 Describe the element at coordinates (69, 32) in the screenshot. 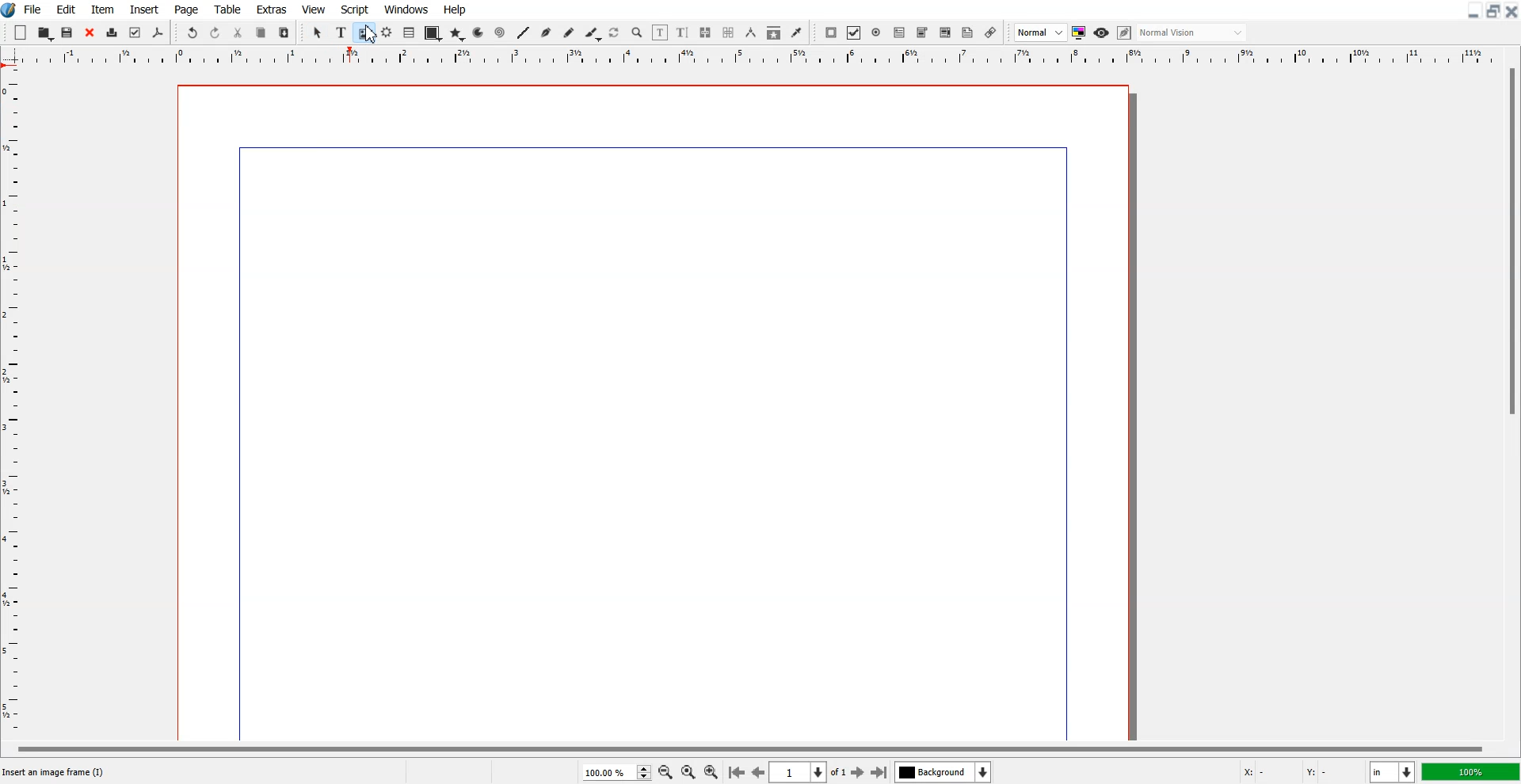

I see `Open` at that location.